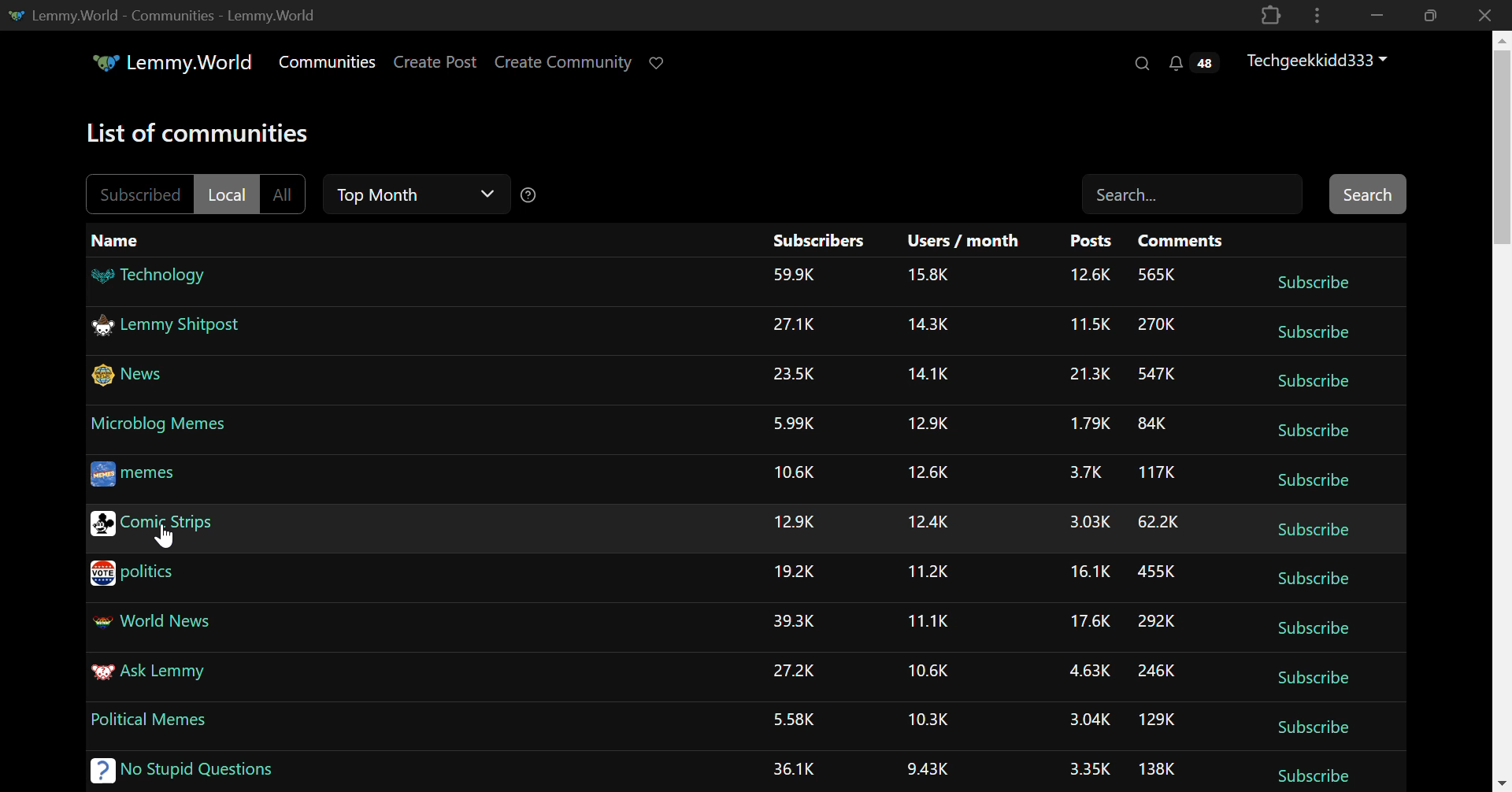 The image size is (1512, 792). Describe the element at coordinates (1090, 719) in the screenshot. I see `3.04K` at that location.